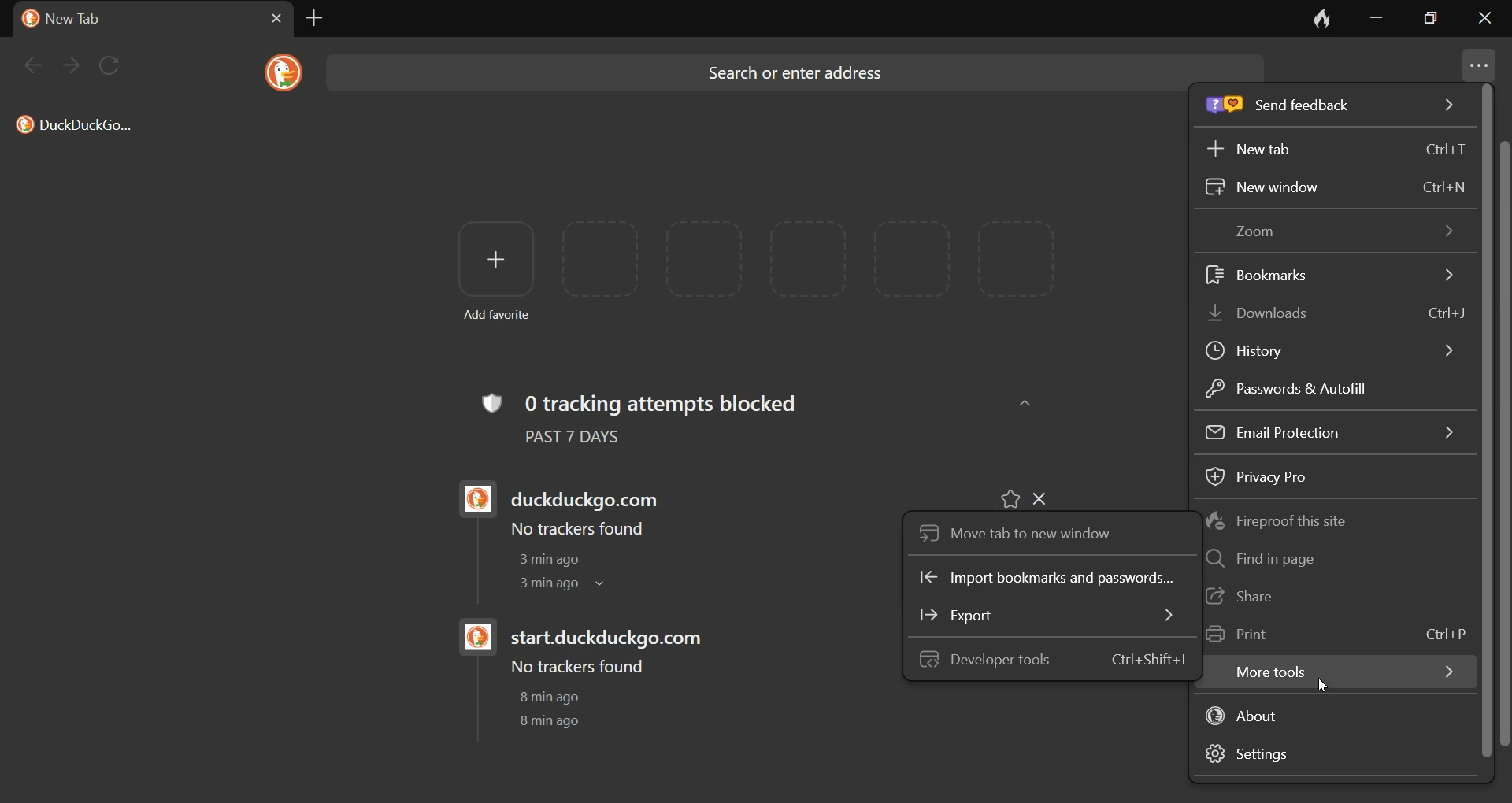  Describe the element at coordinates (1336, 234) in the screenshot. I see `Zoom` at that location.